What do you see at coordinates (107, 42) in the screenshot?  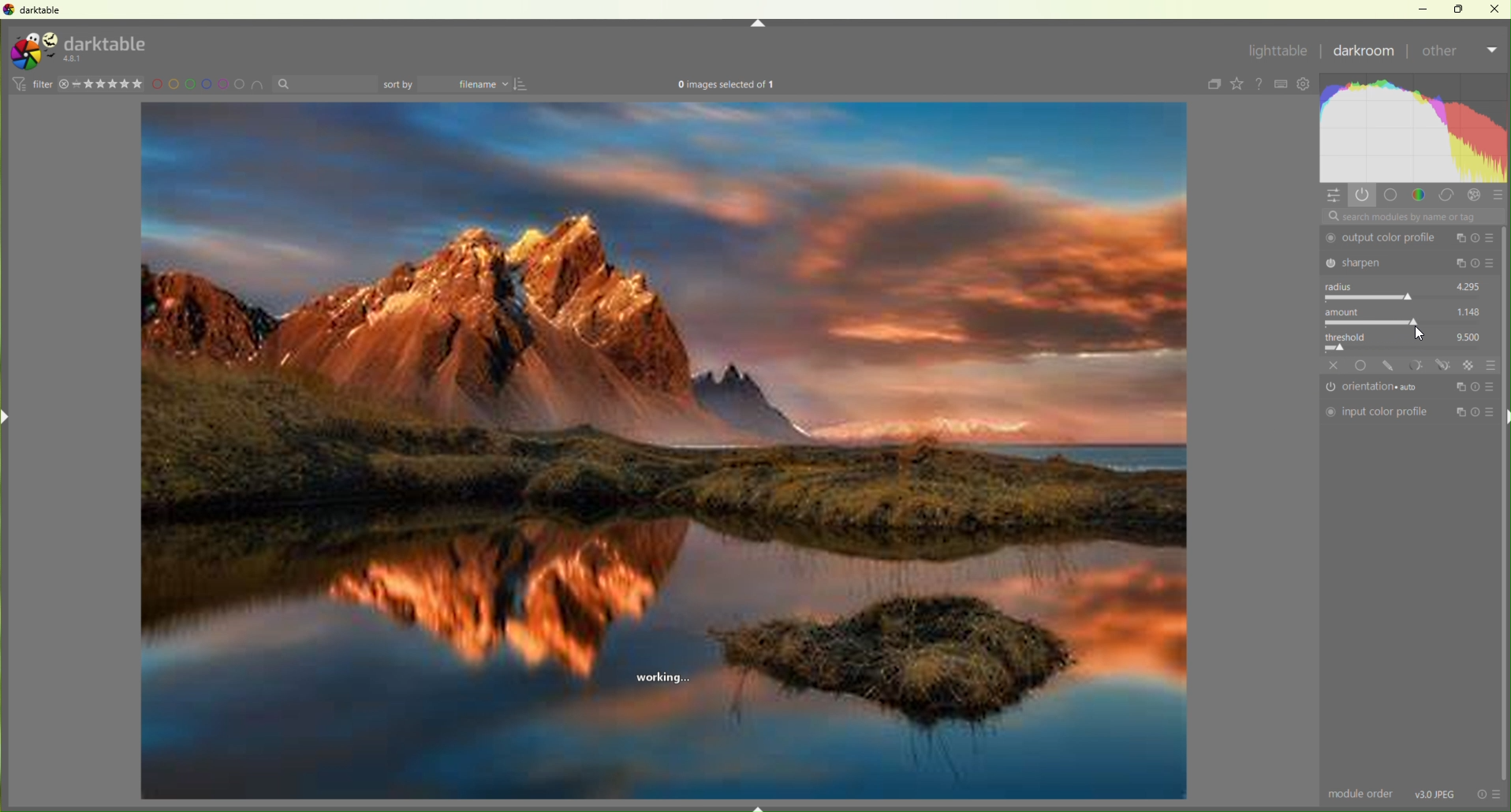 I see `darktable` at bounding box center [107, 42].